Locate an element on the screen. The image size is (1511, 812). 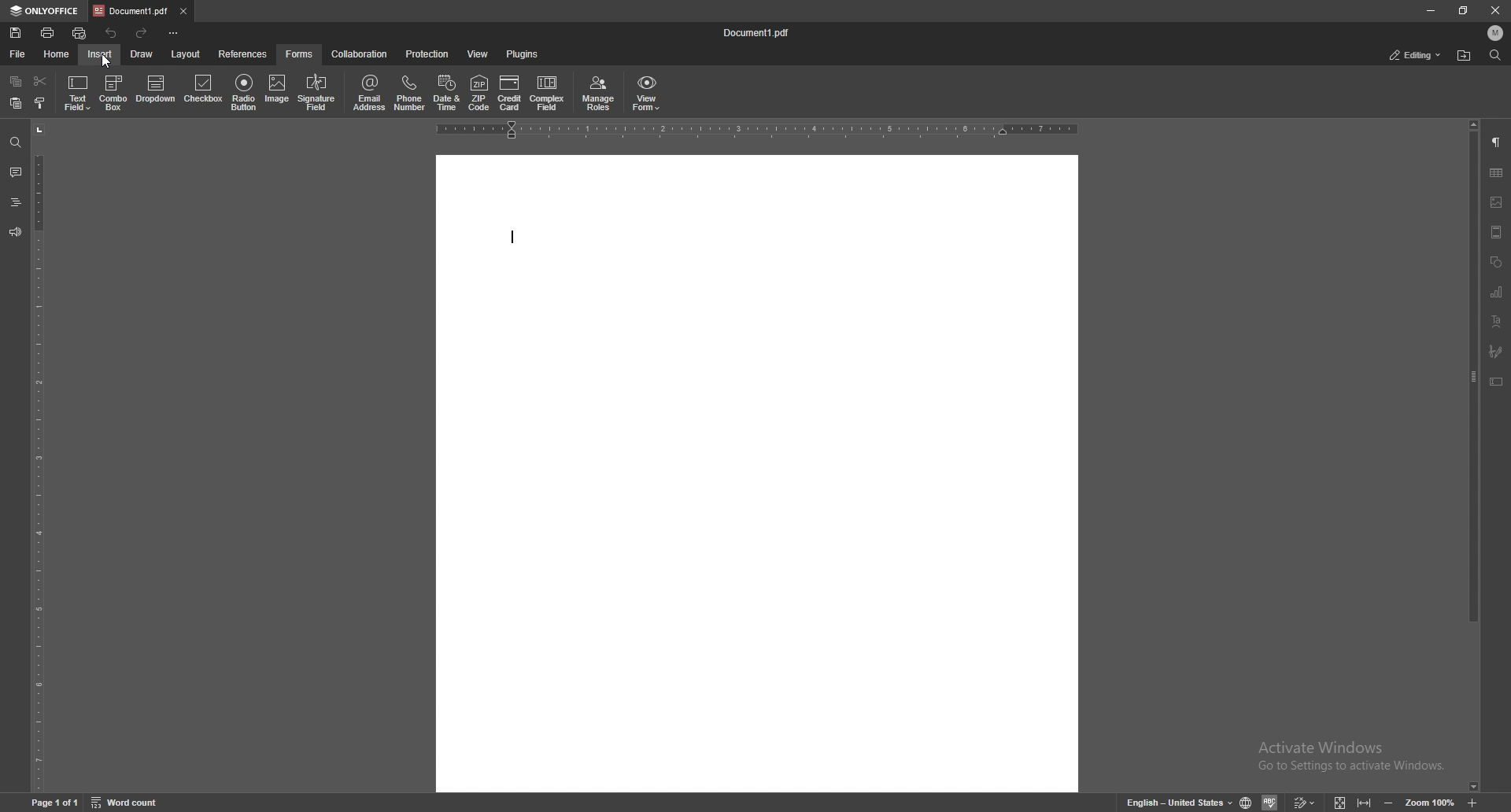
tab is located at coordinates (131, 10).